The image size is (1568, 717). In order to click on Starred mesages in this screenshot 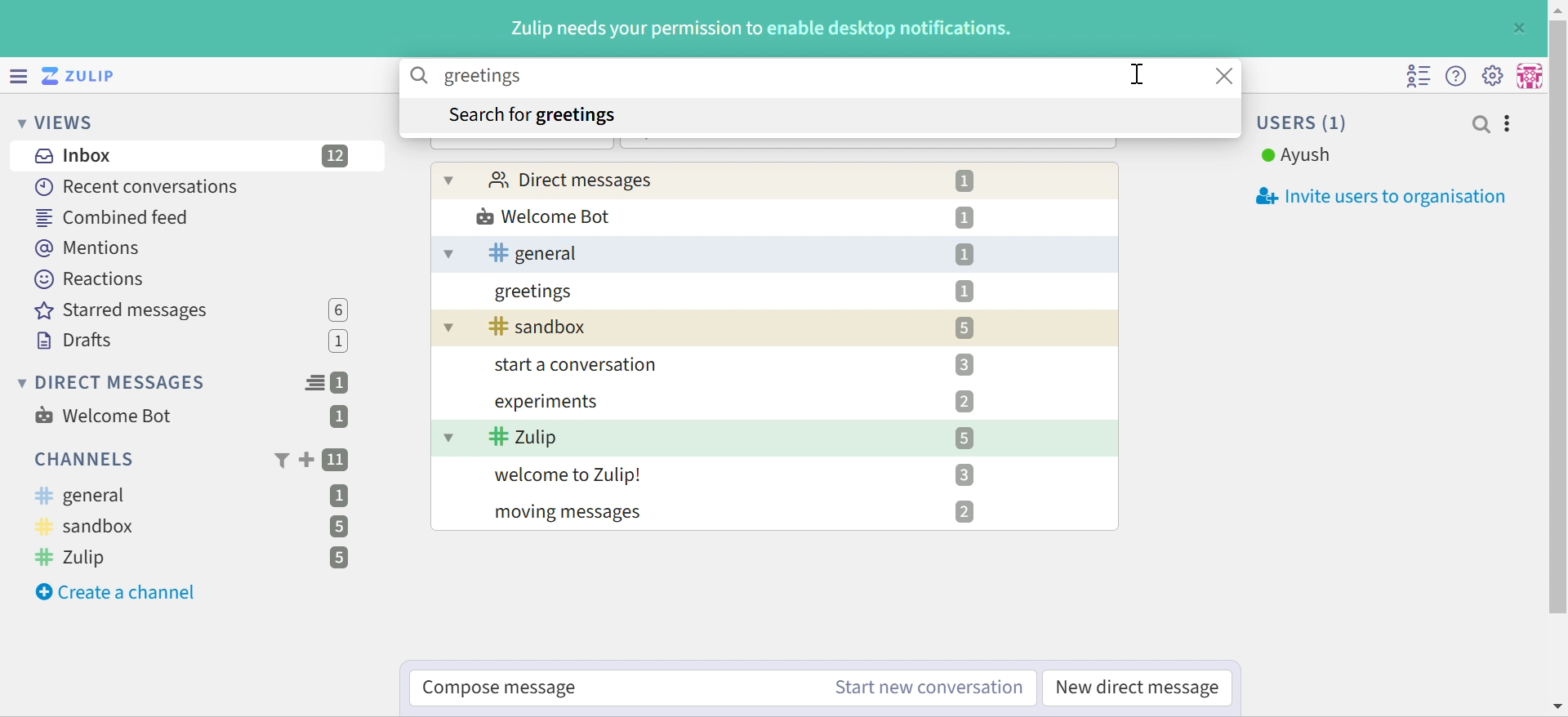, I will do `click(127, 311)`.